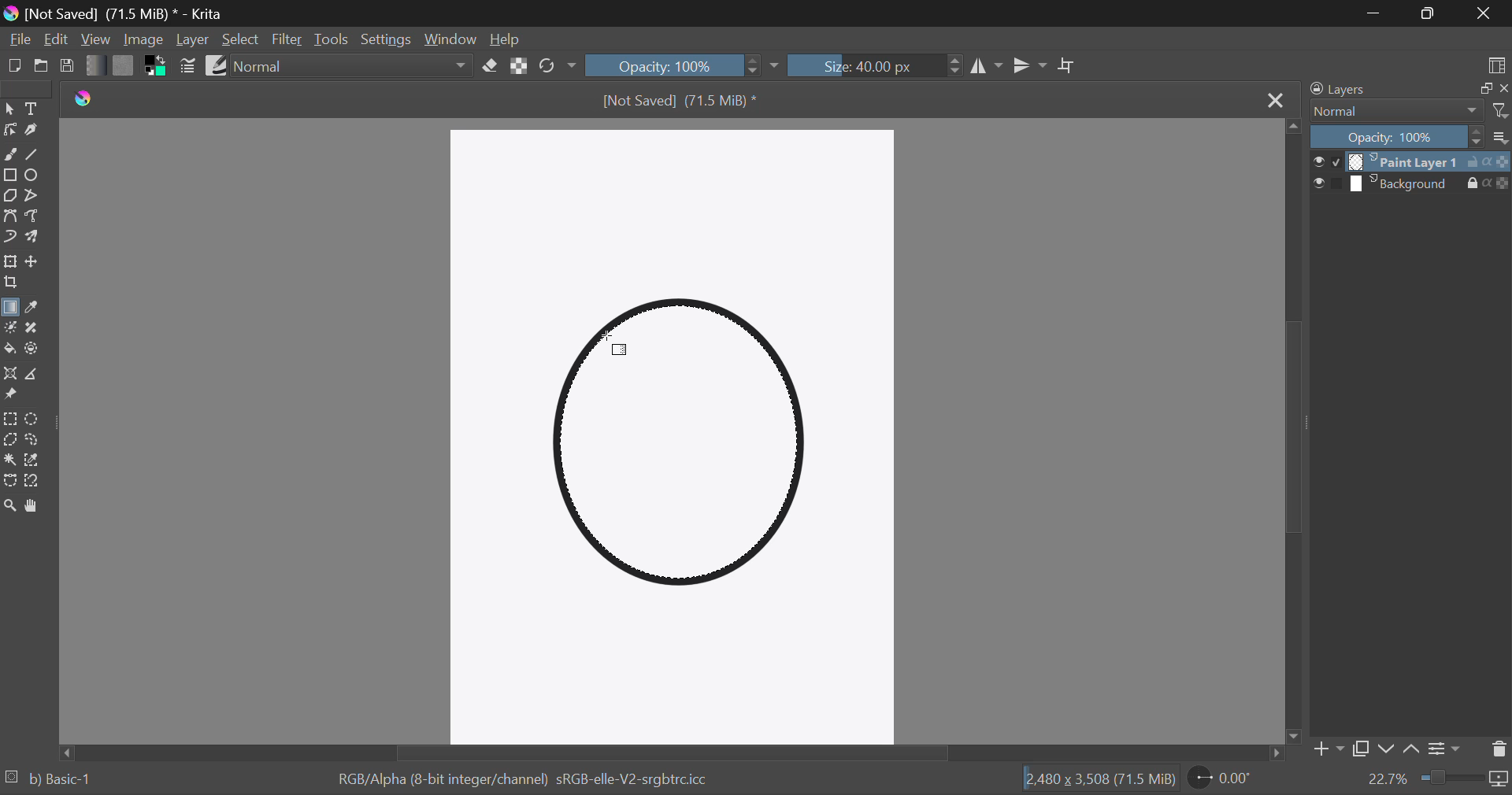 Image resolution: width=1512 pixels, height=795 pixels. I want to click on [Not Saved] (71.5 MiB) *, so click(680, 102).